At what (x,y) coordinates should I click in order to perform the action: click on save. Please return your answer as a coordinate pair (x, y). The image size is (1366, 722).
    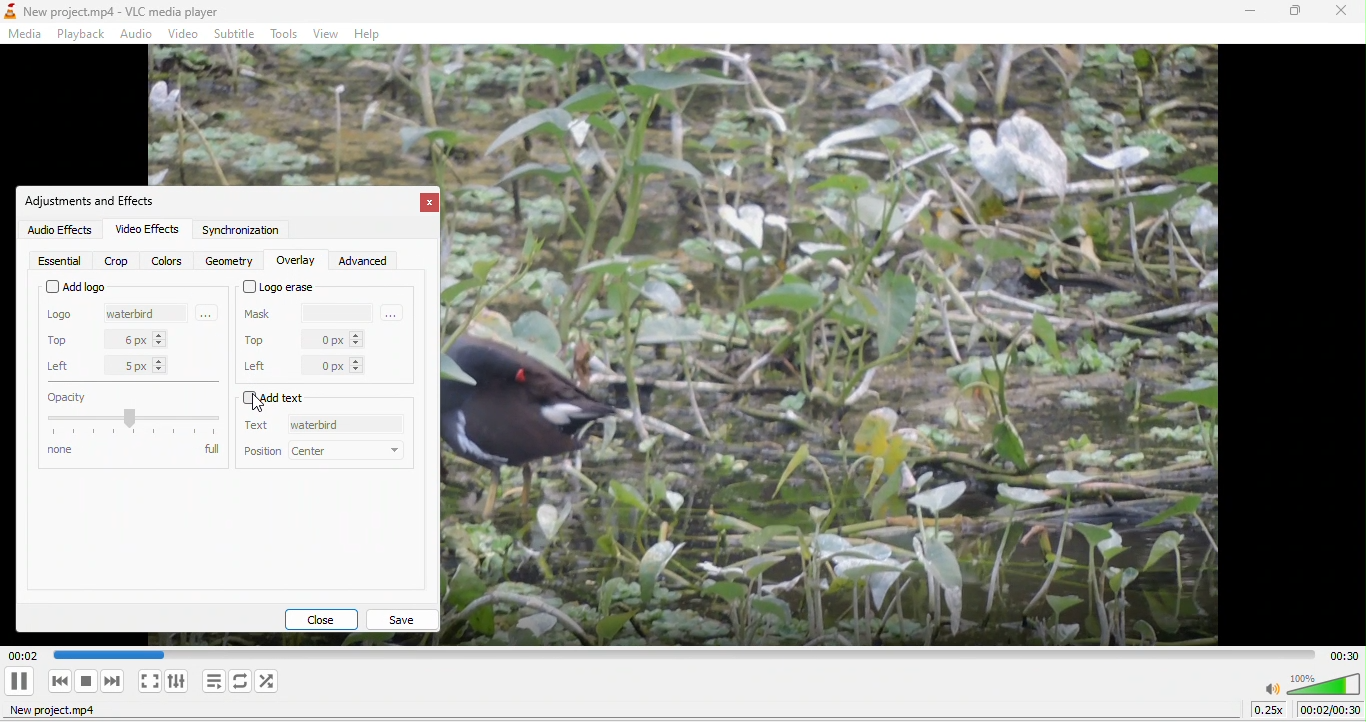
    Looking at the image, I should click on (406, 617).